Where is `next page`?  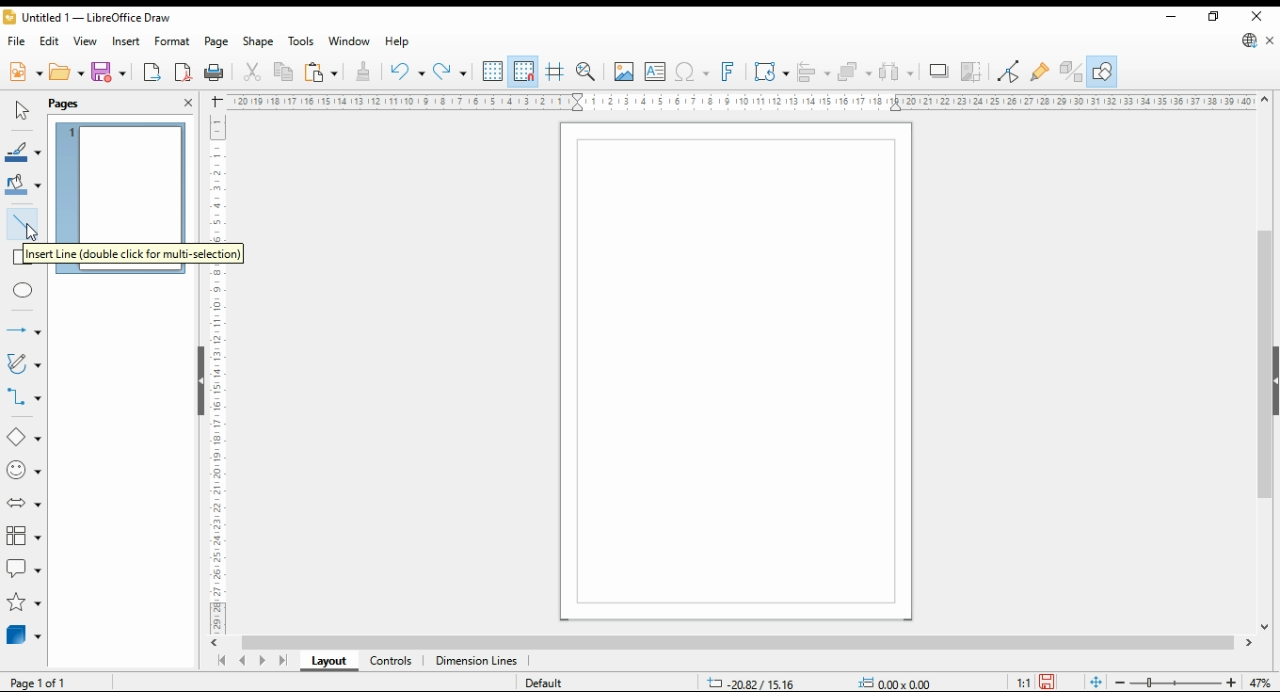
next page is located at coordinates (266, 661).